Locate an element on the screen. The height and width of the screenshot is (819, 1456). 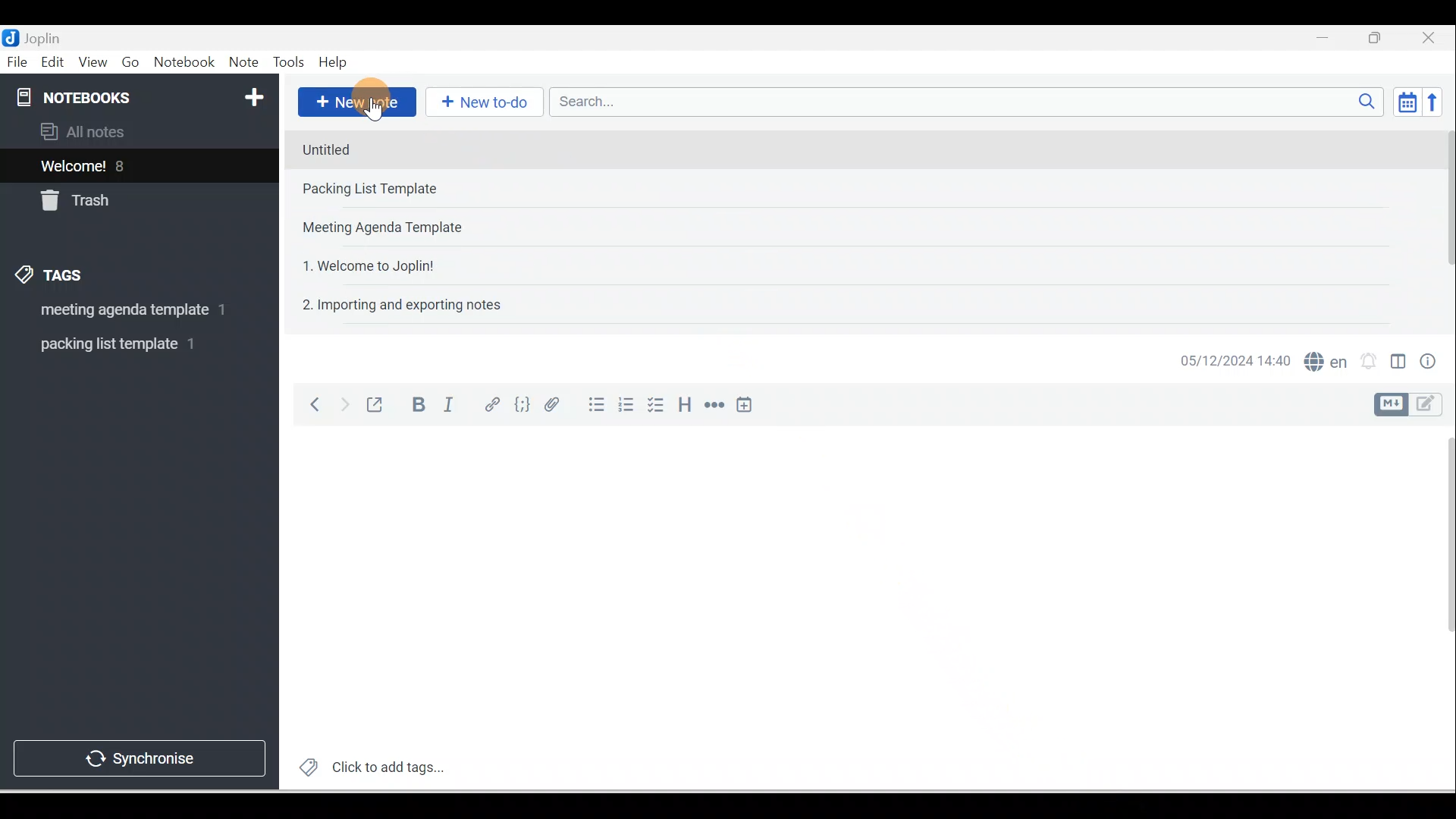
Tools is located at coordinates (288, 62).